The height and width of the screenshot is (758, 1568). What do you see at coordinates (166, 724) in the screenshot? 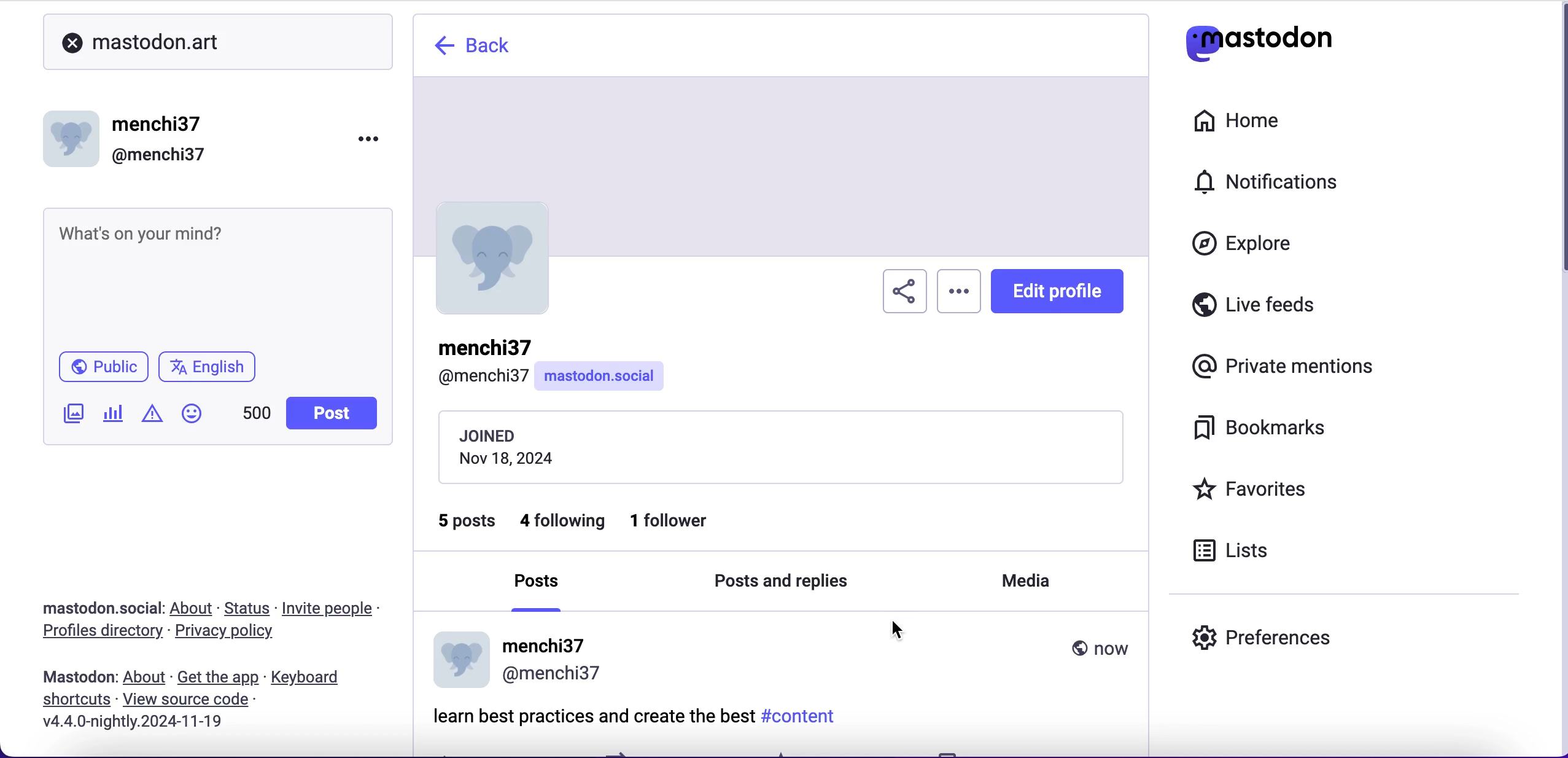
I see `2024-11-19` at bounding box center [166, 724].